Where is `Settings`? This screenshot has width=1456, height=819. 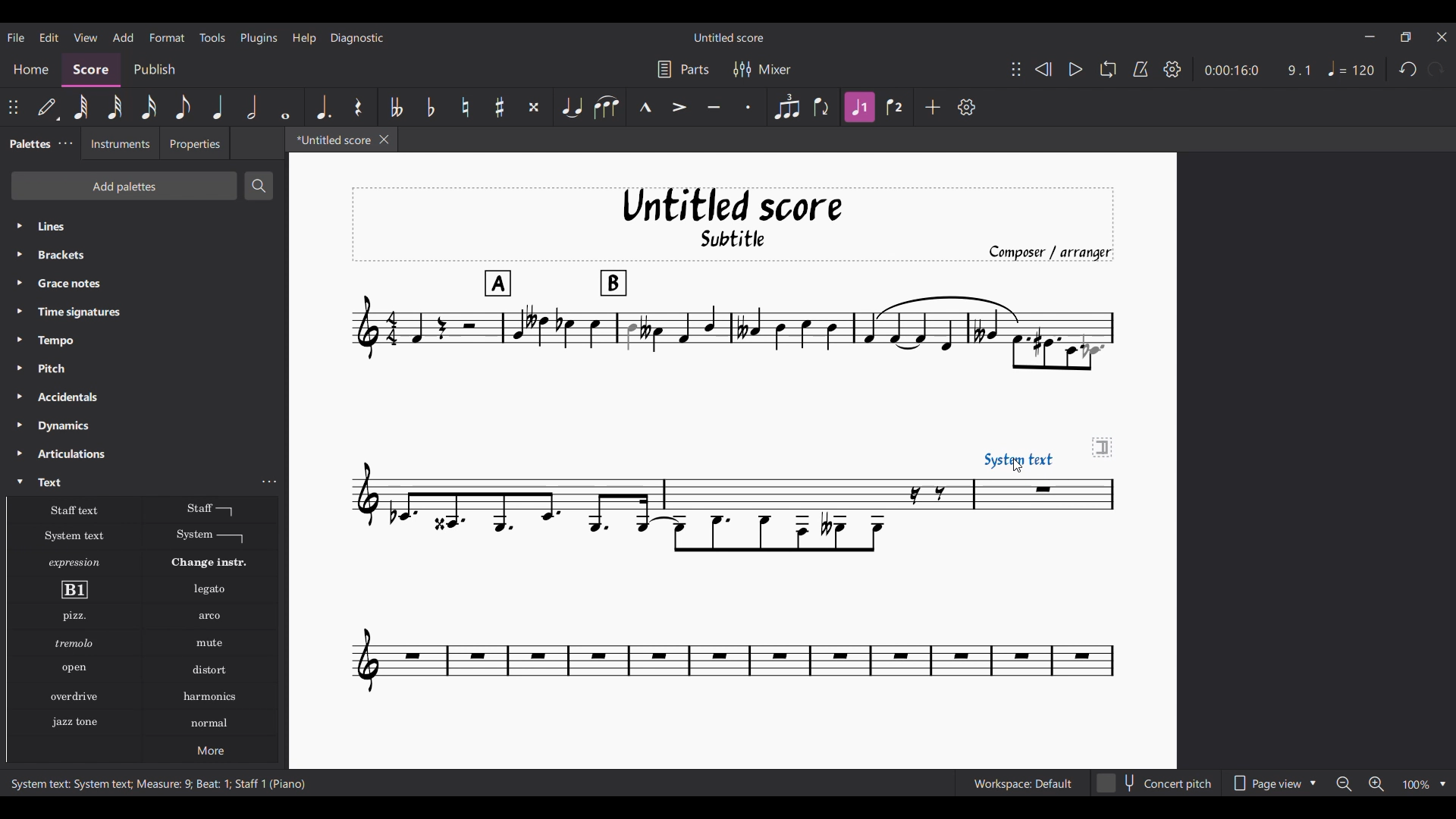
Settings is located at coordinates (1172, 69).